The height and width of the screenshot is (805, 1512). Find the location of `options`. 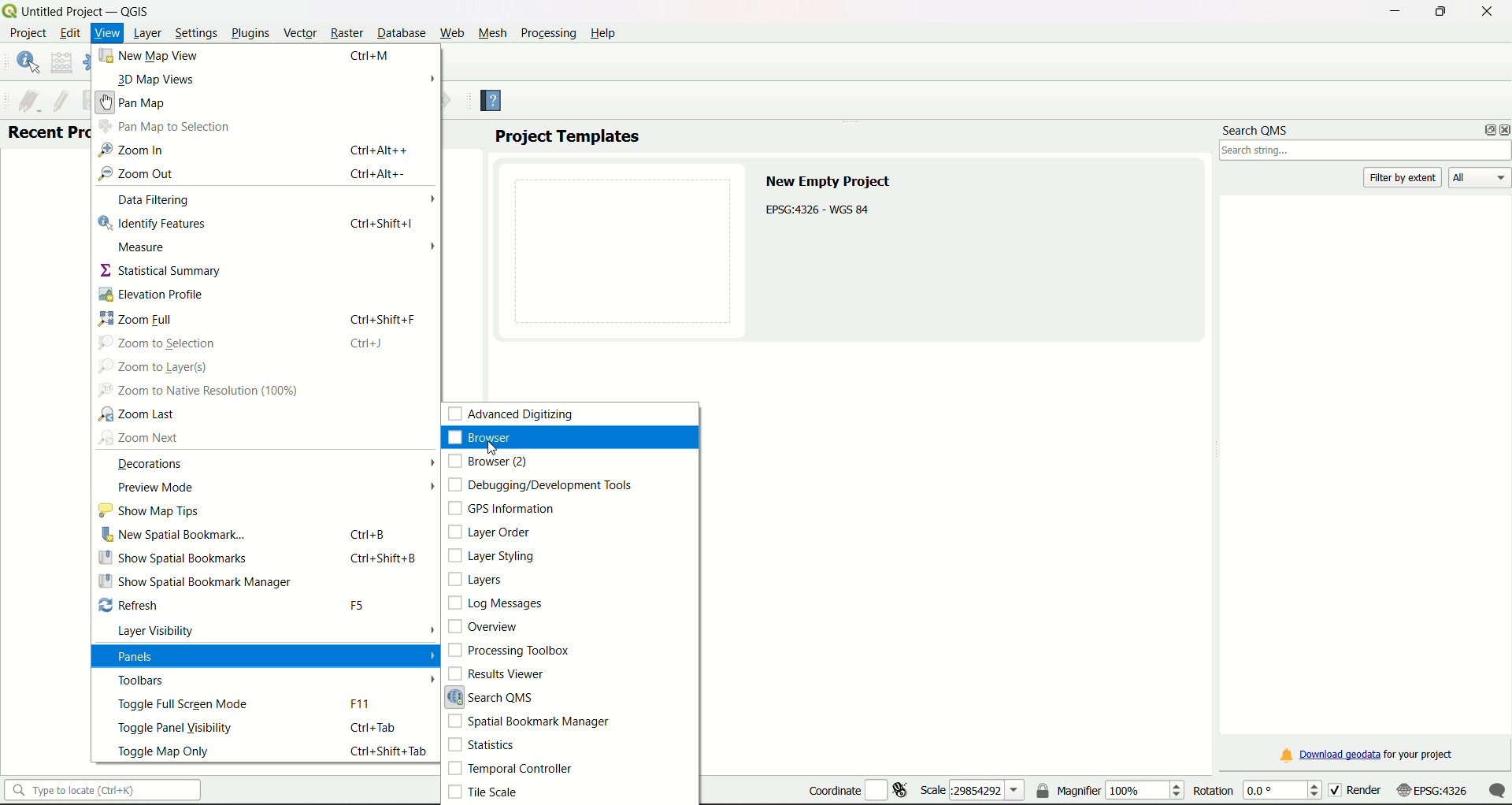

options is located at coordinates (1484, 130).